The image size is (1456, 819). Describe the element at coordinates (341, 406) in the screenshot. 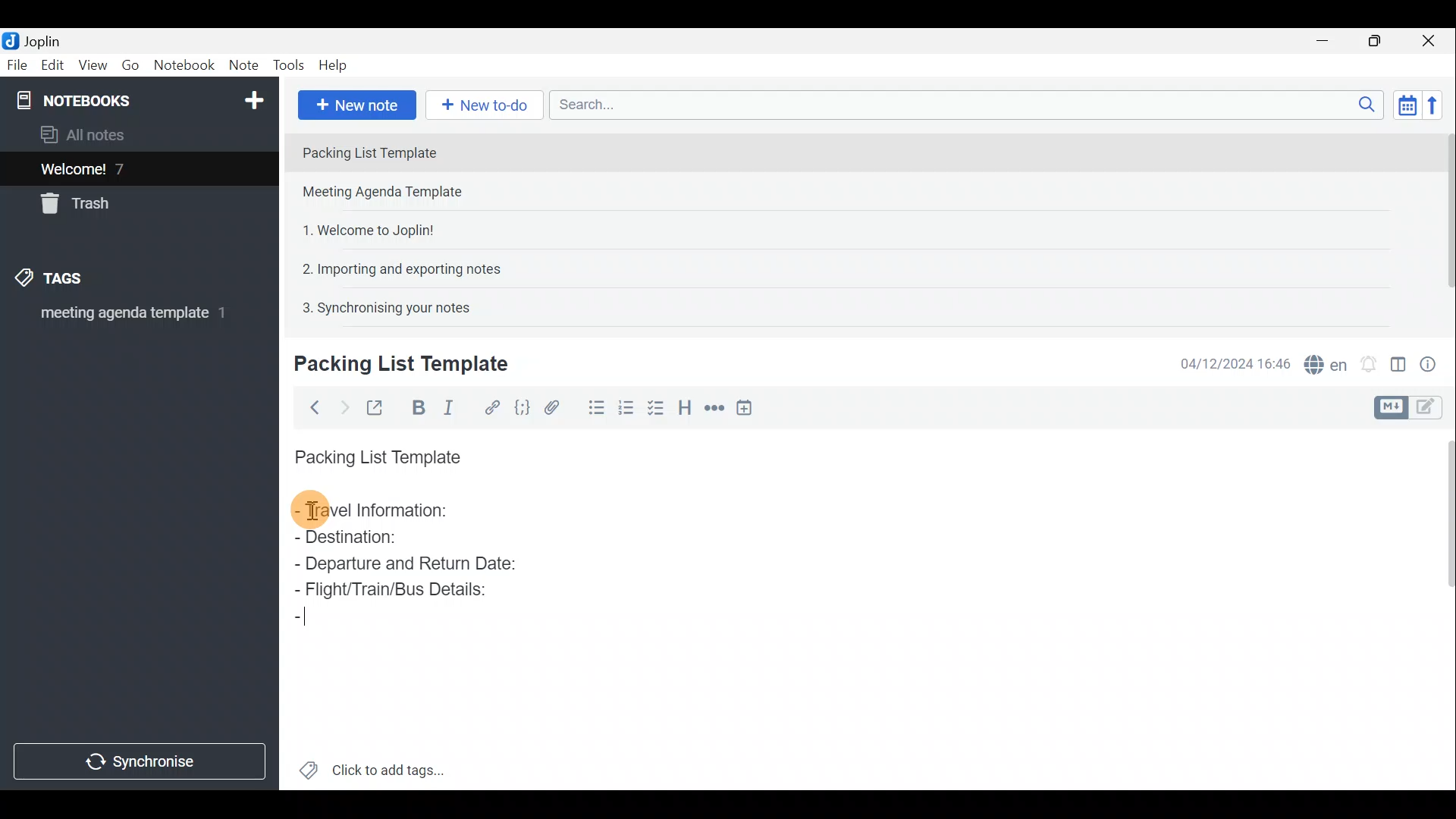

I see `Forward` at that location.